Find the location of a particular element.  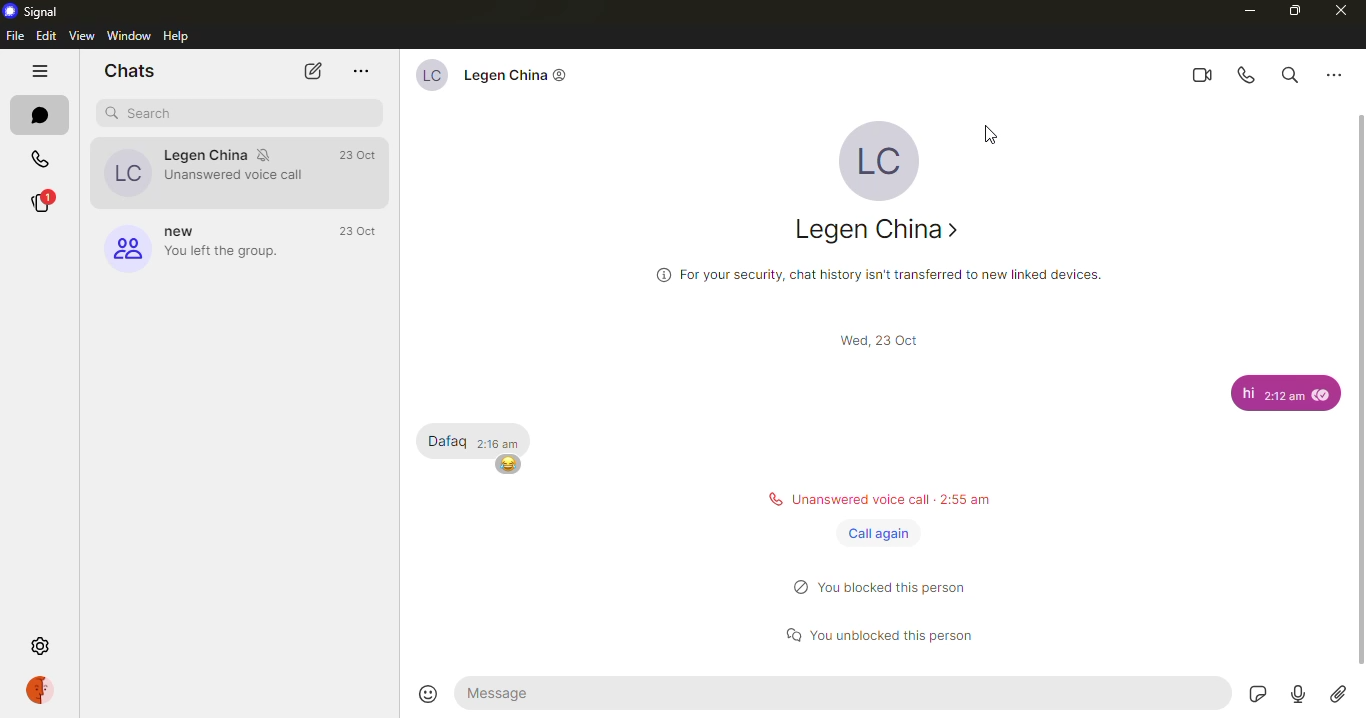

status message is located at coordinates (890, 585).